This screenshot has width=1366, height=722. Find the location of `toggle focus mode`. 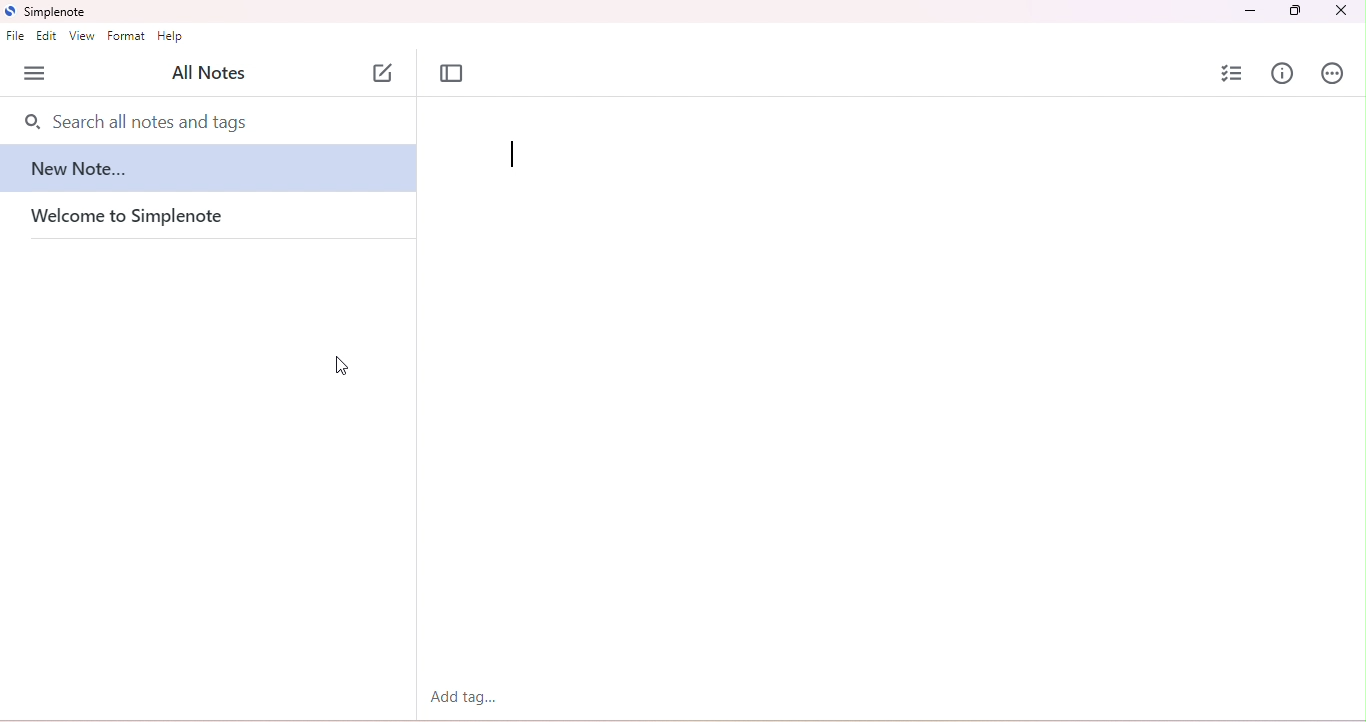

toggle focus mode is located at coordinates (454, 74).